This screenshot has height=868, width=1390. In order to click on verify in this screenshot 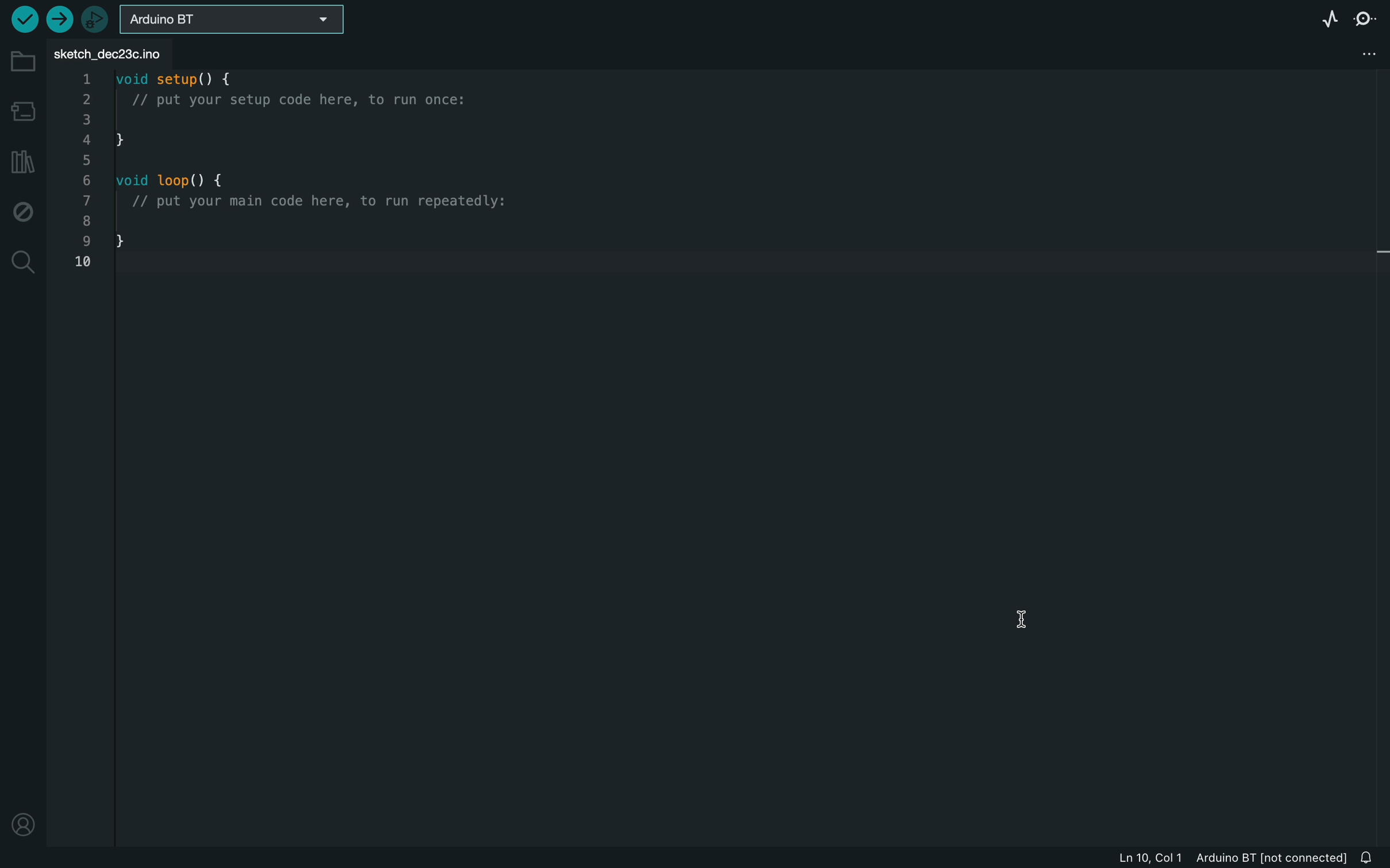, I will do `click(22, 18)`.